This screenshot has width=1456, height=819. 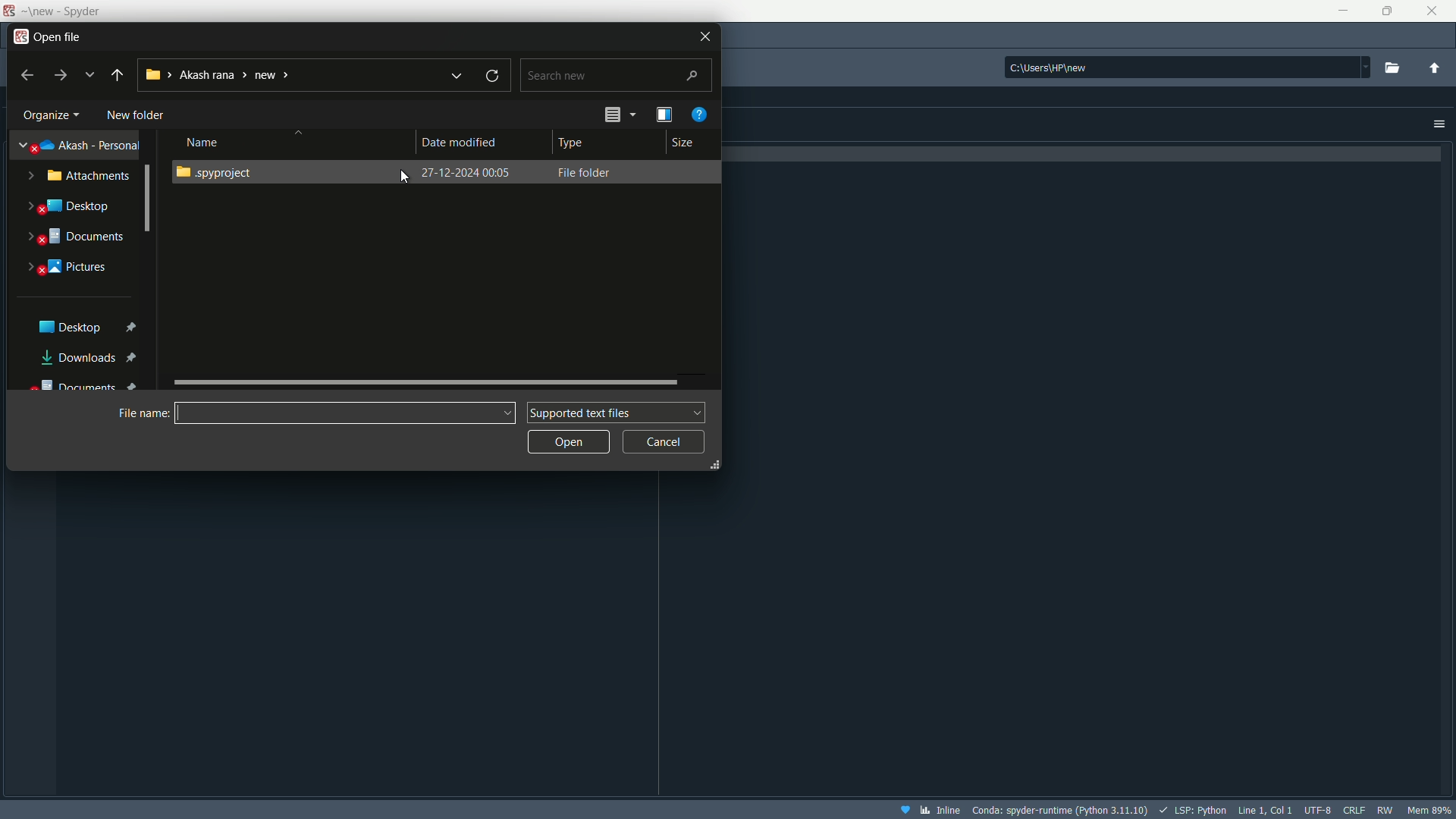 What do you see at coordinates (57, 76) in the screenshot?
I see `forward` at bounding box center [57, 76].